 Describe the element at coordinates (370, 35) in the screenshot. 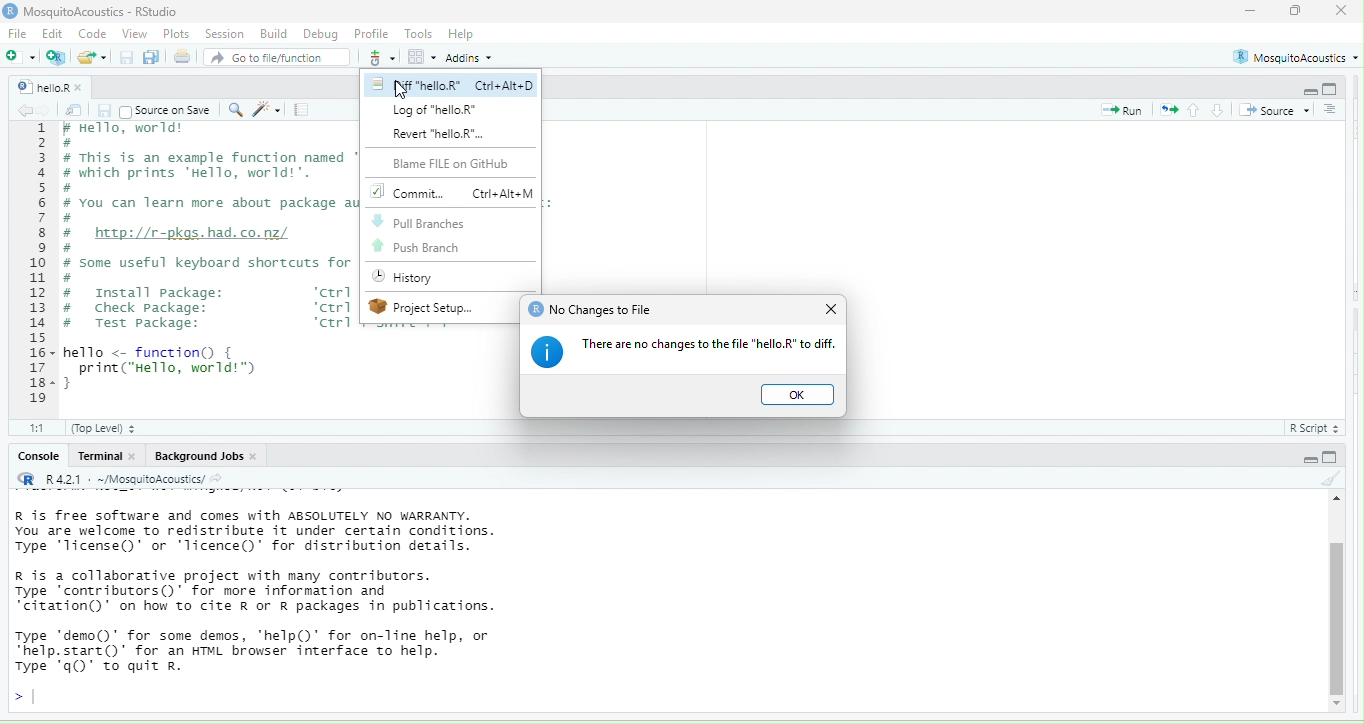

I see ` Profile` at that location.